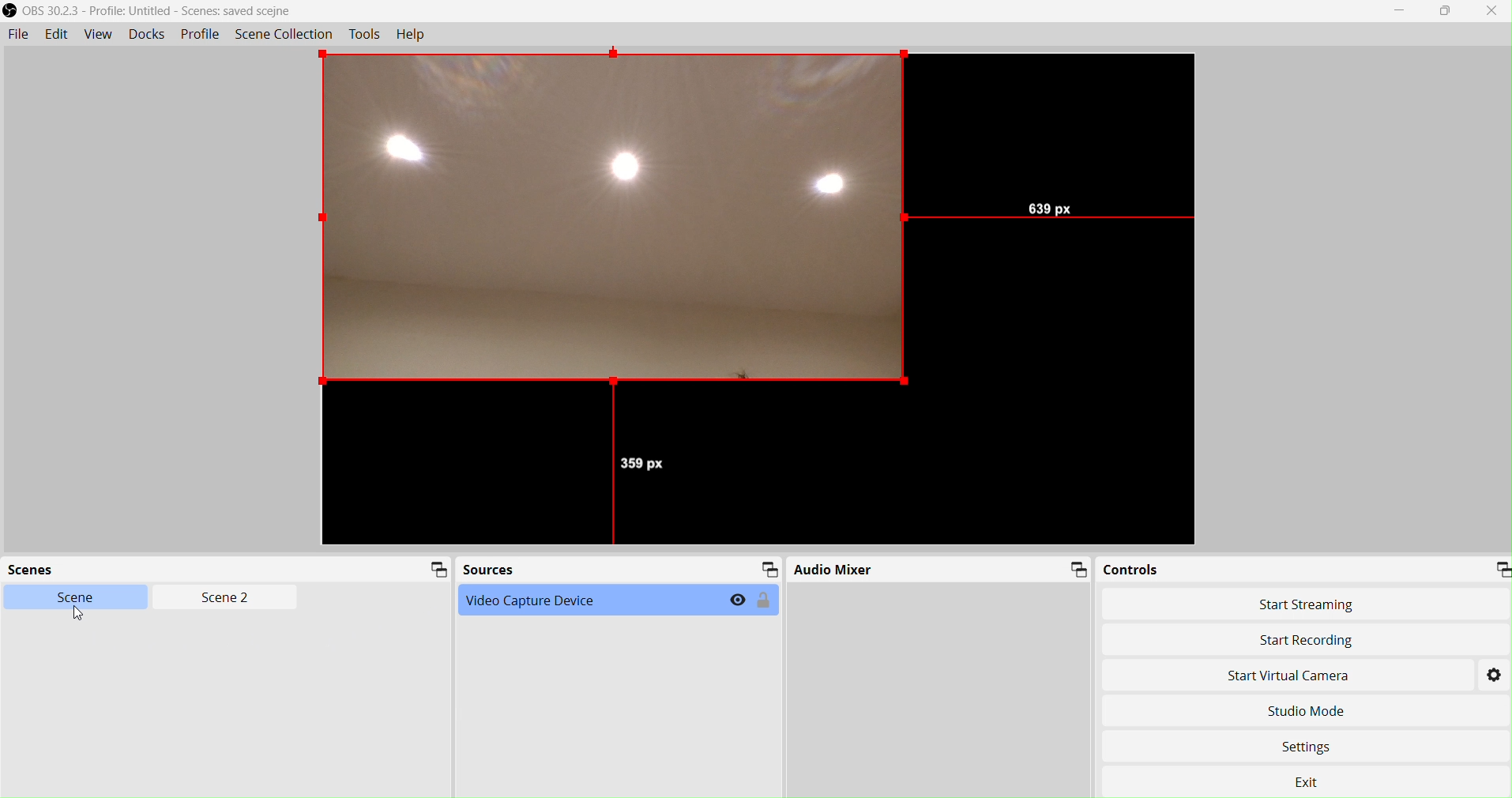 The image size is (1512, 798). What do you see at coordinates (1307, 708) in the screenshot?
I see `Studio Move` at bounding box center [1307, 708].